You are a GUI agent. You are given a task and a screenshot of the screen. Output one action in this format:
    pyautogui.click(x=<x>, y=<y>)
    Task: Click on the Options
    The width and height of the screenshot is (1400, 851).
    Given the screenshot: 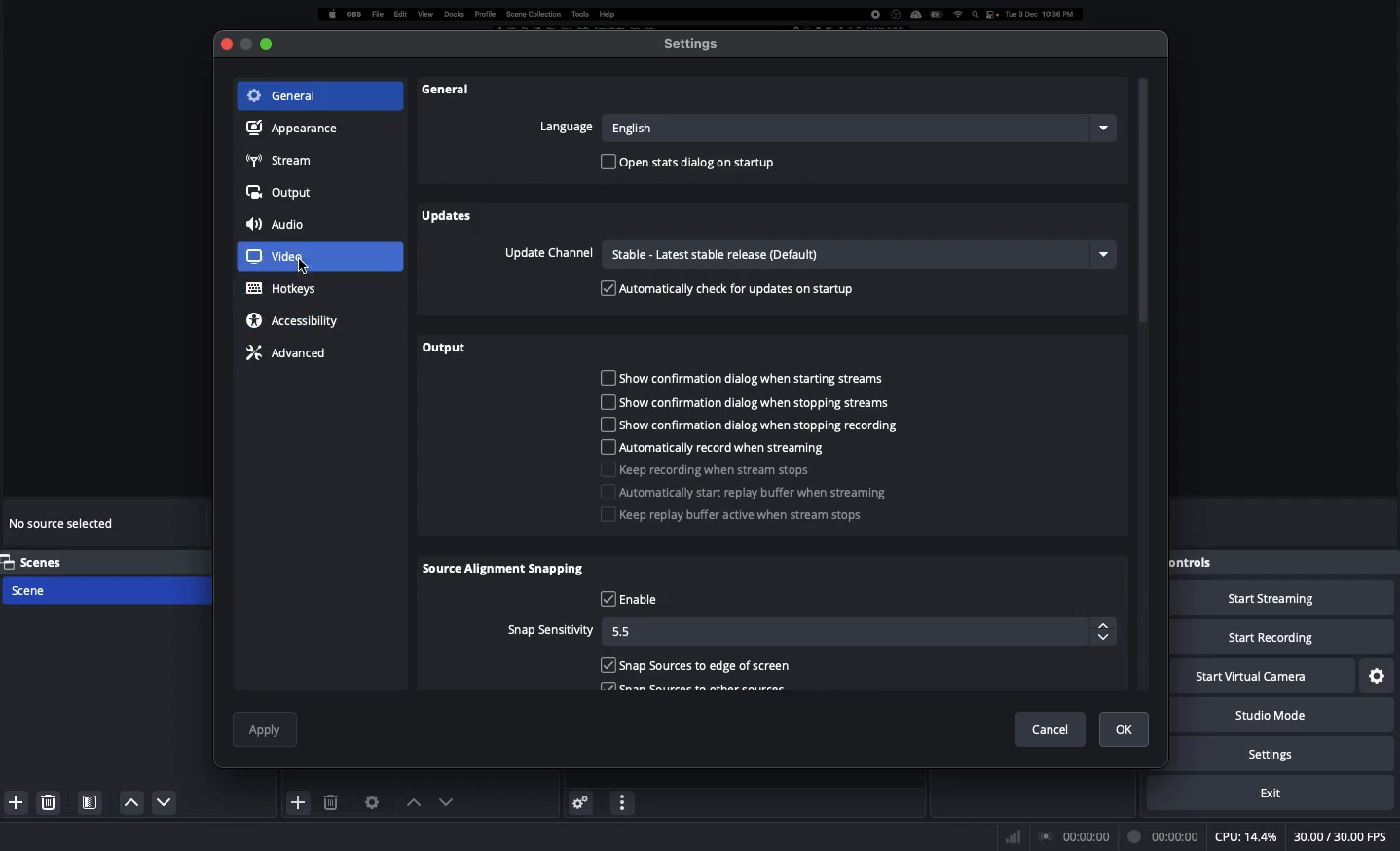 What is the action you would take?
    pyautogui.click(x=1119, y=661)
    